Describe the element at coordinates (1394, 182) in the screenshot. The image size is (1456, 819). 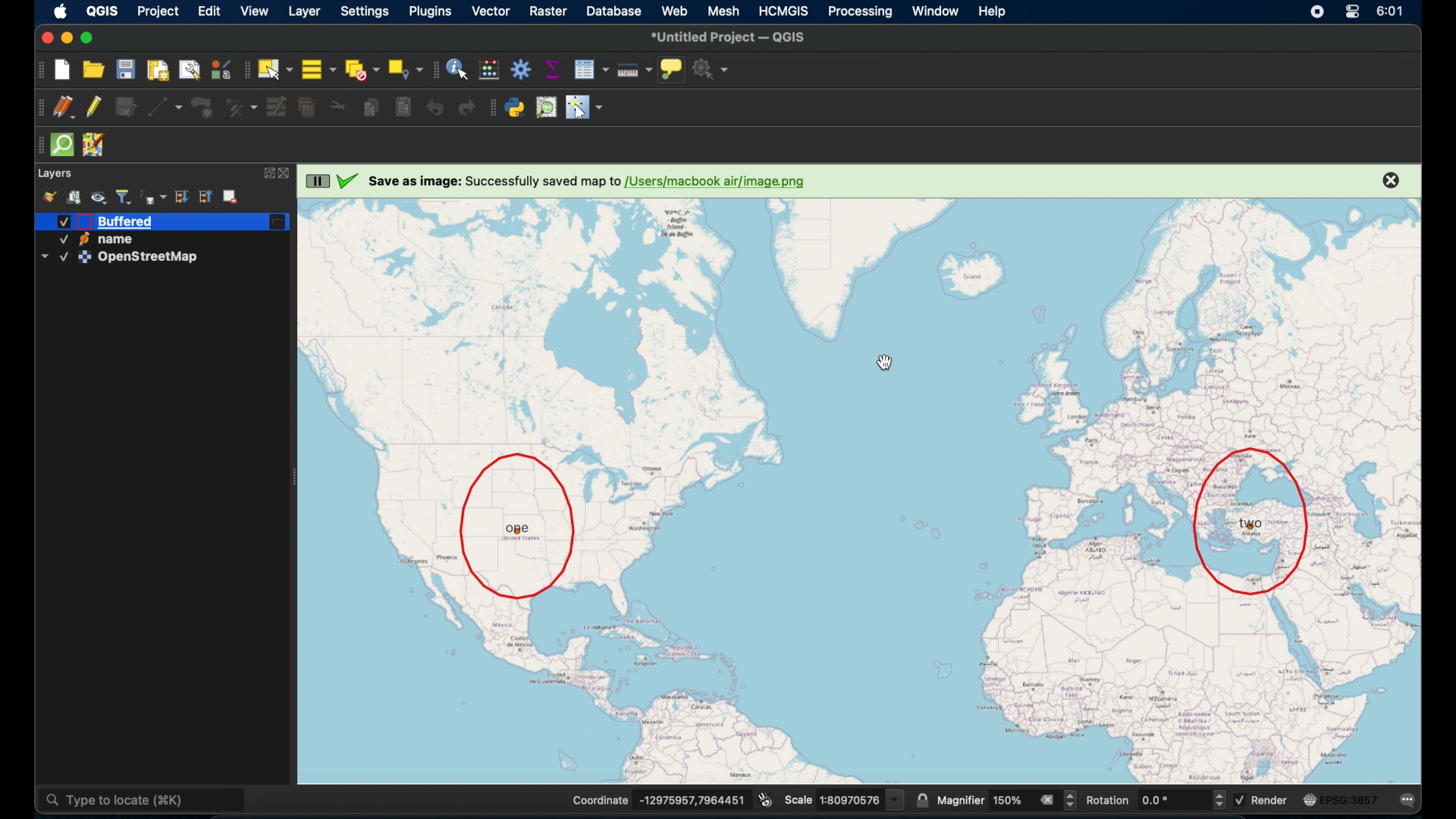
I see `close pop up` at that location.